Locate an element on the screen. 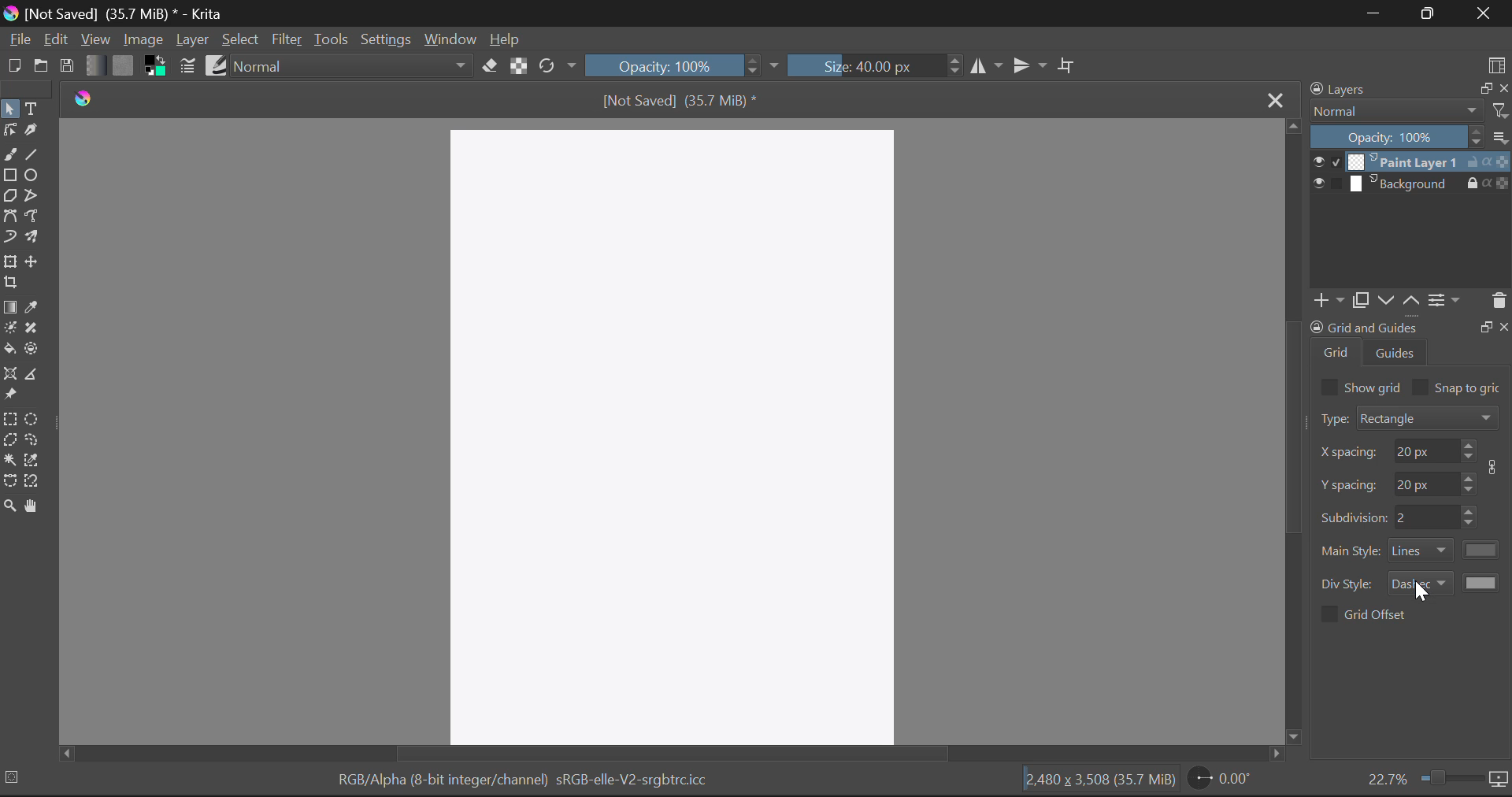  Blending Mode is located at coordinates (354, 65).